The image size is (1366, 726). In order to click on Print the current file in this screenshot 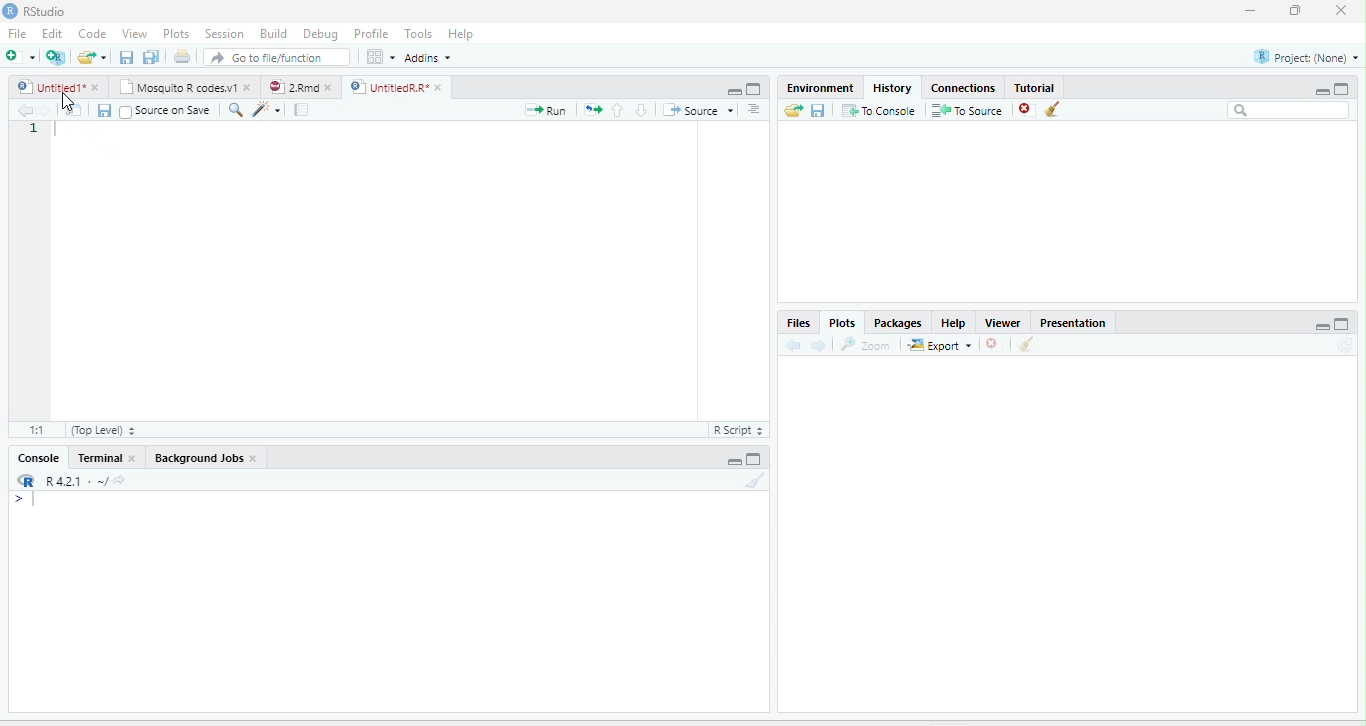, I will do `click(181, 56)`.